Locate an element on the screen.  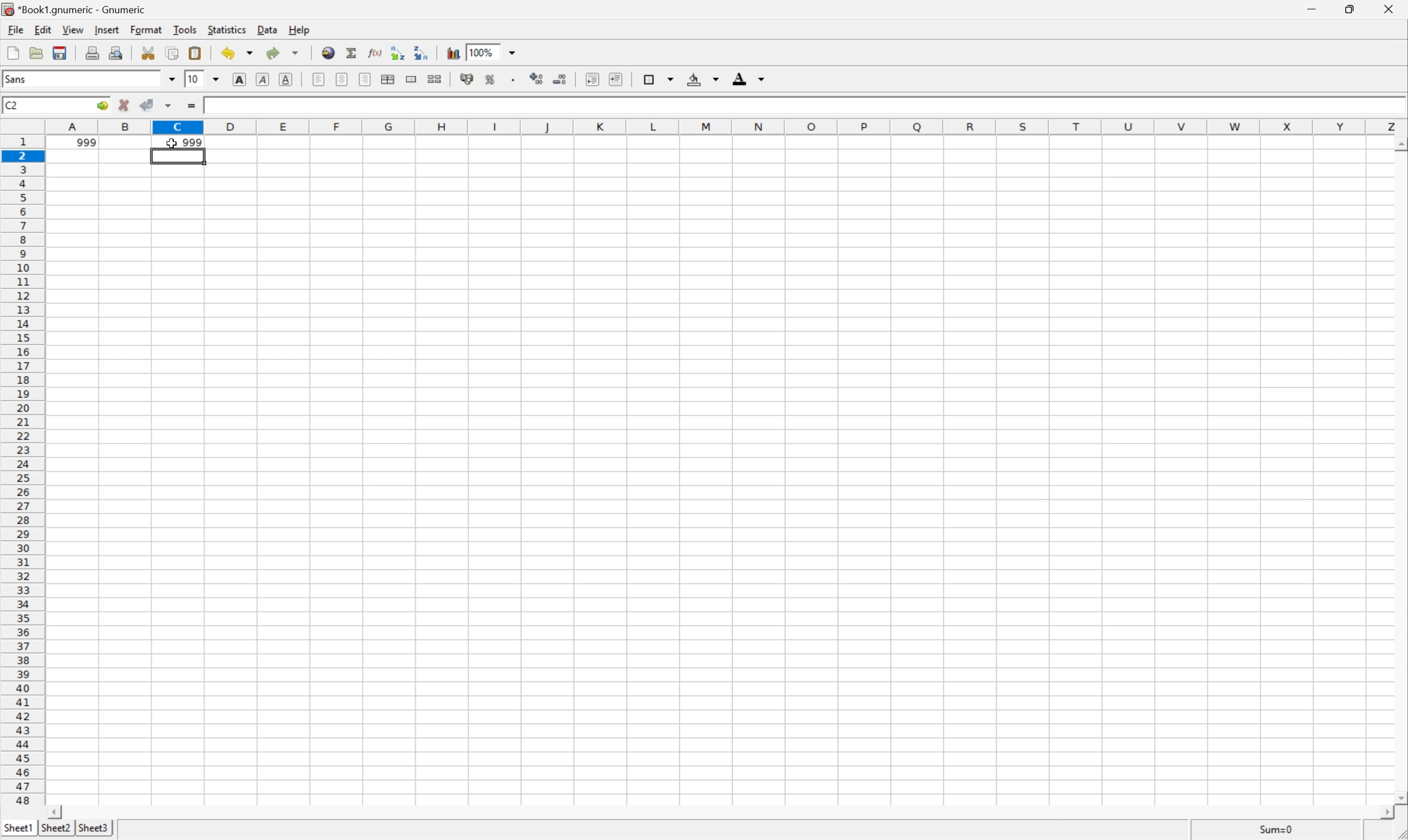
sum=0 is located at coordinates (1277, 828).